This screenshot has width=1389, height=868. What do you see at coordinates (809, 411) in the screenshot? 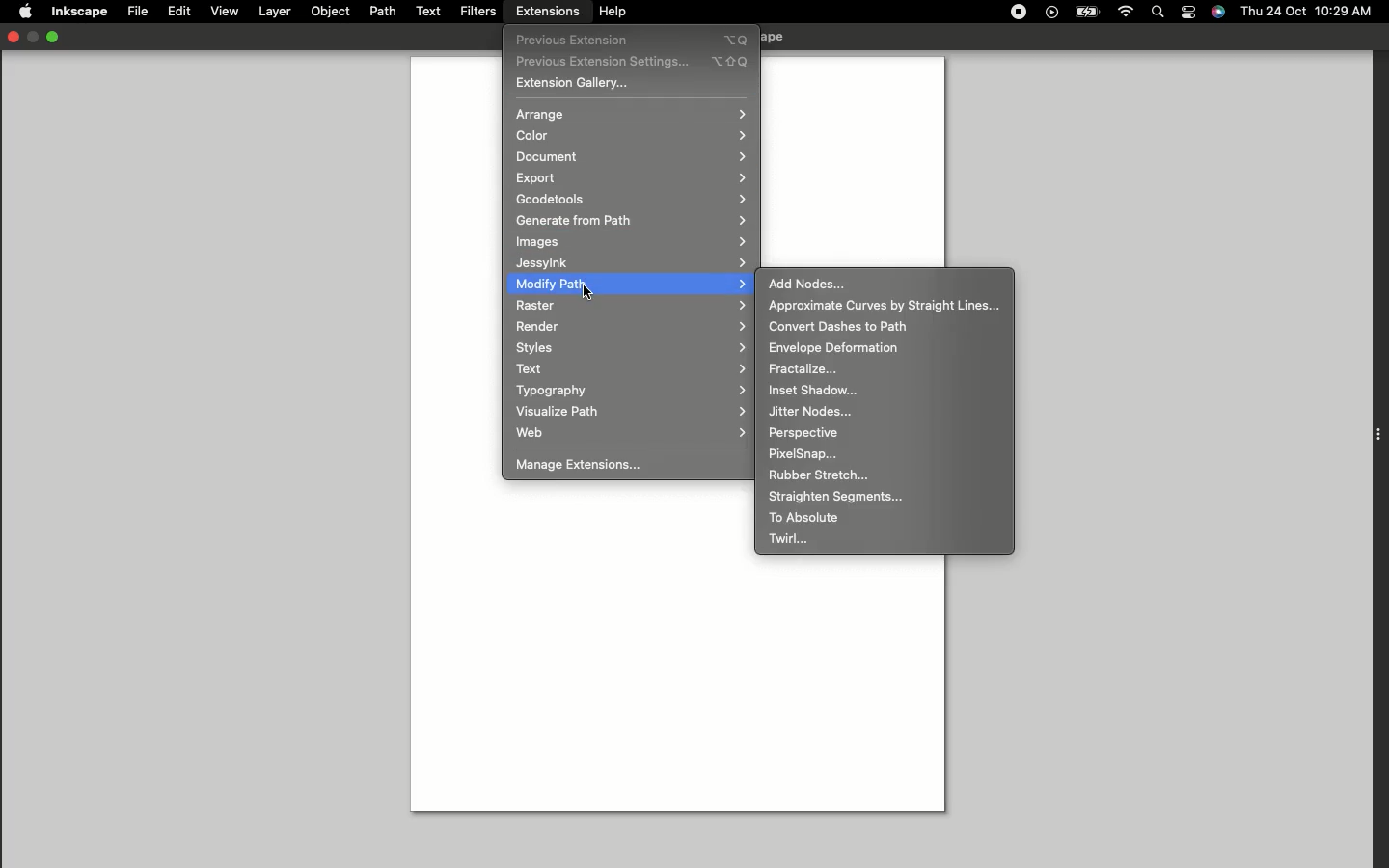
I see `Jitter nodes` at bounding box center [809, 411].